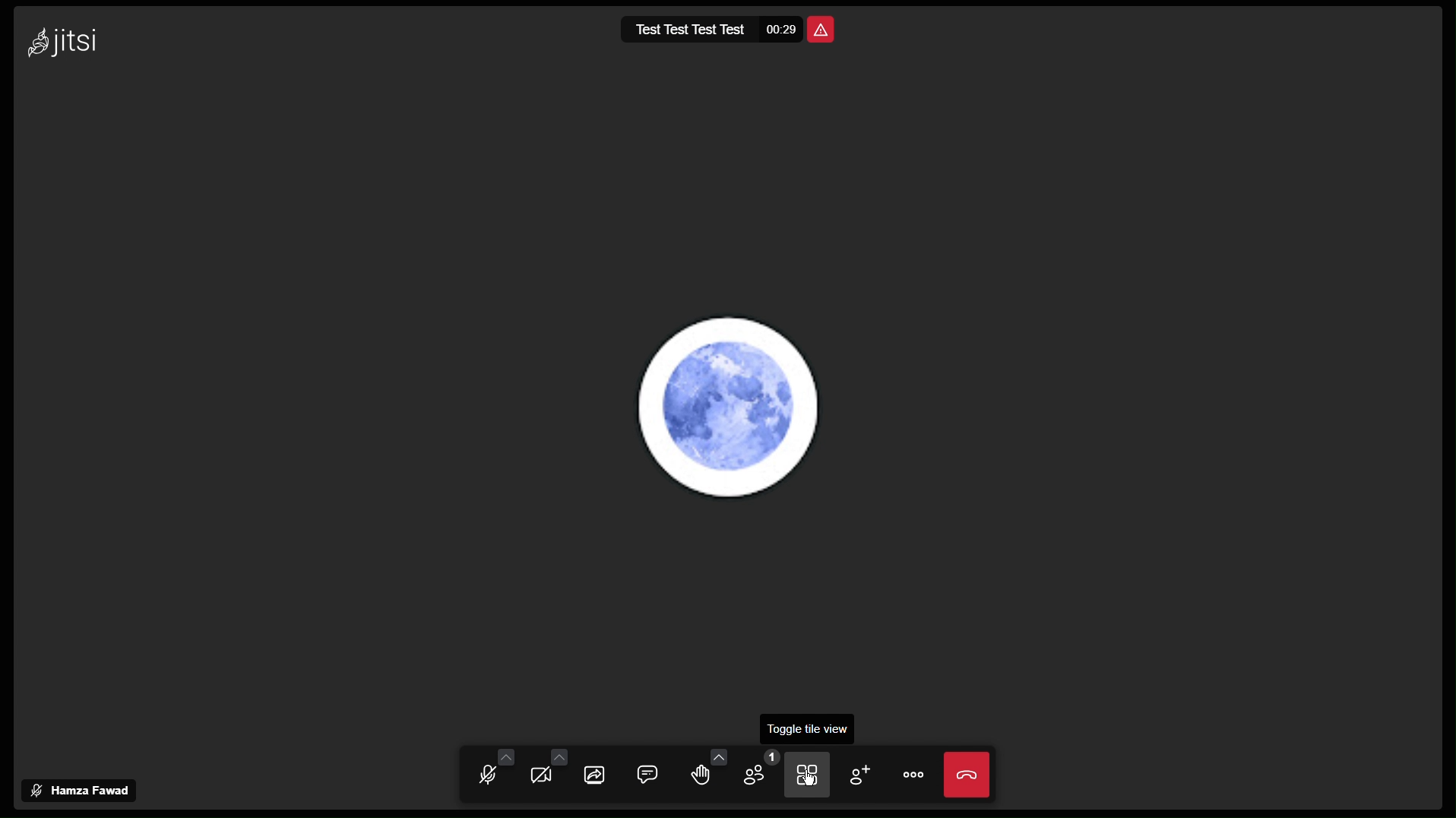 The width and height of the screenshot is (1456, 818). Describe the element at coordinates (736, 408) in the screenshot. I see `Account PFP` at that location.